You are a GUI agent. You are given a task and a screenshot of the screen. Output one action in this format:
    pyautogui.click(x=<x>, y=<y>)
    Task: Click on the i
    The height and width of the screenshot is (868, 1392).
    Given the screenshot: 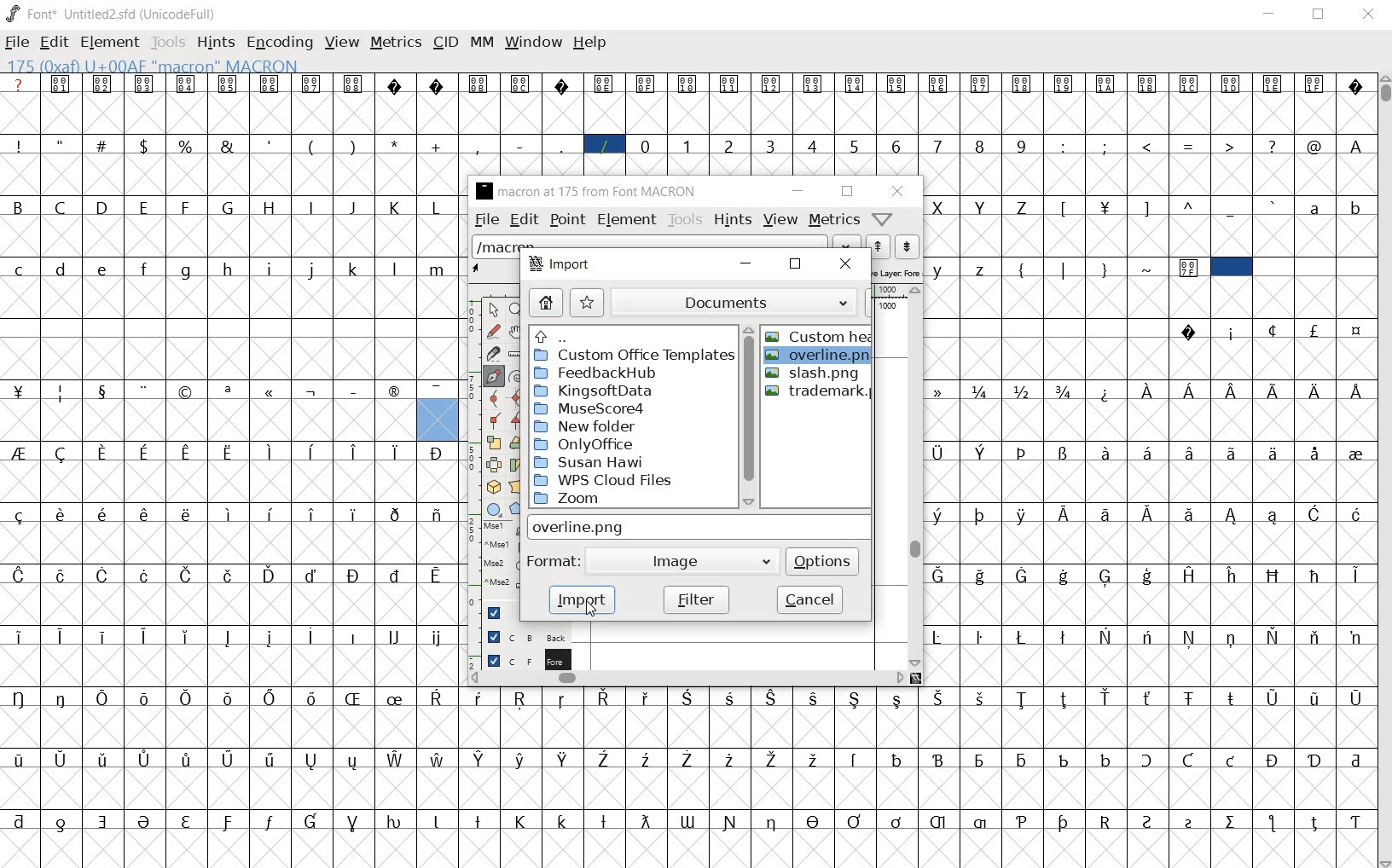 What is the action you would take?
    pyautogui.click(x=270, y=268)
    